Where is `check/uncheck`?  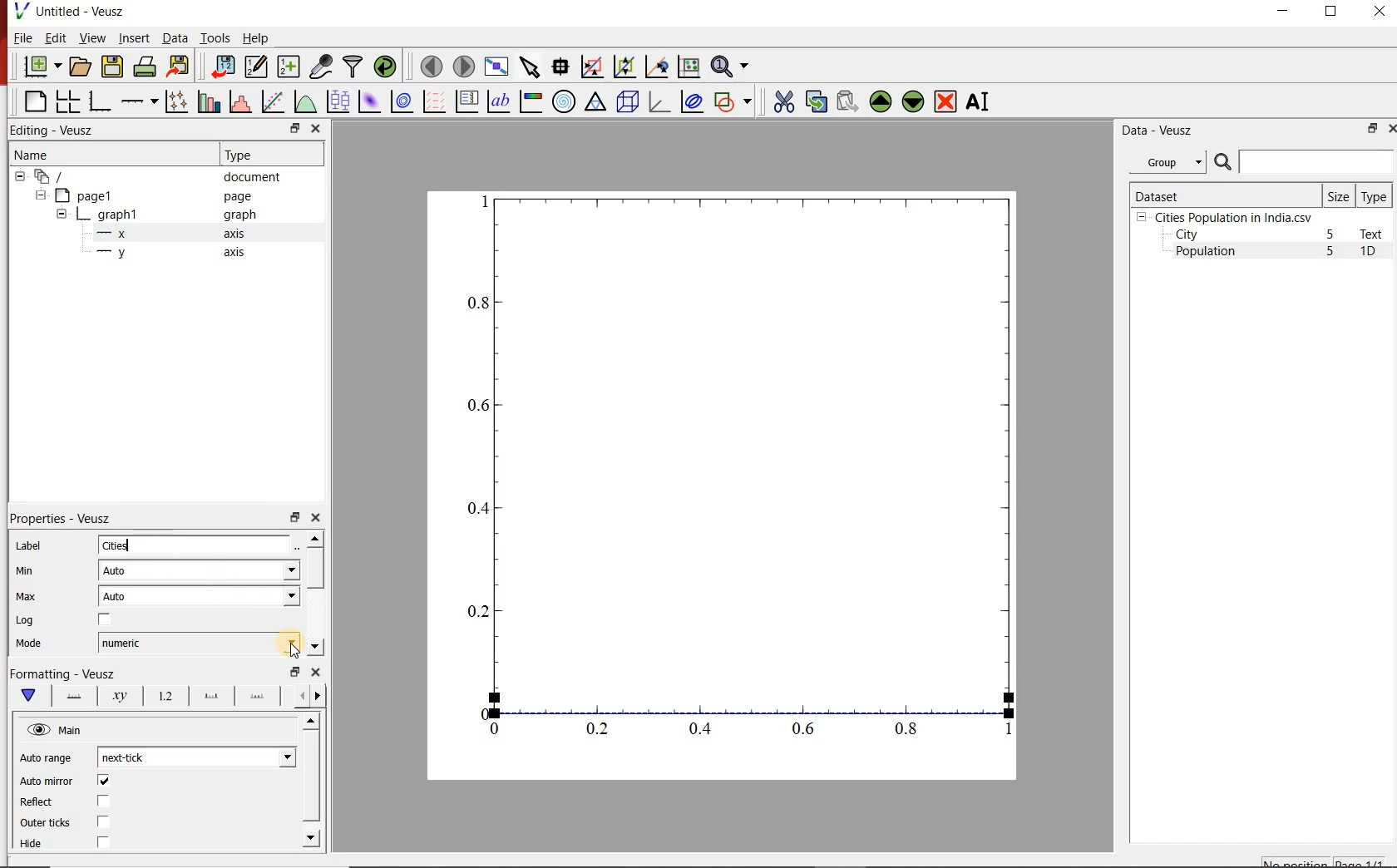
check/uncheck is located at coordinates (105, 619).